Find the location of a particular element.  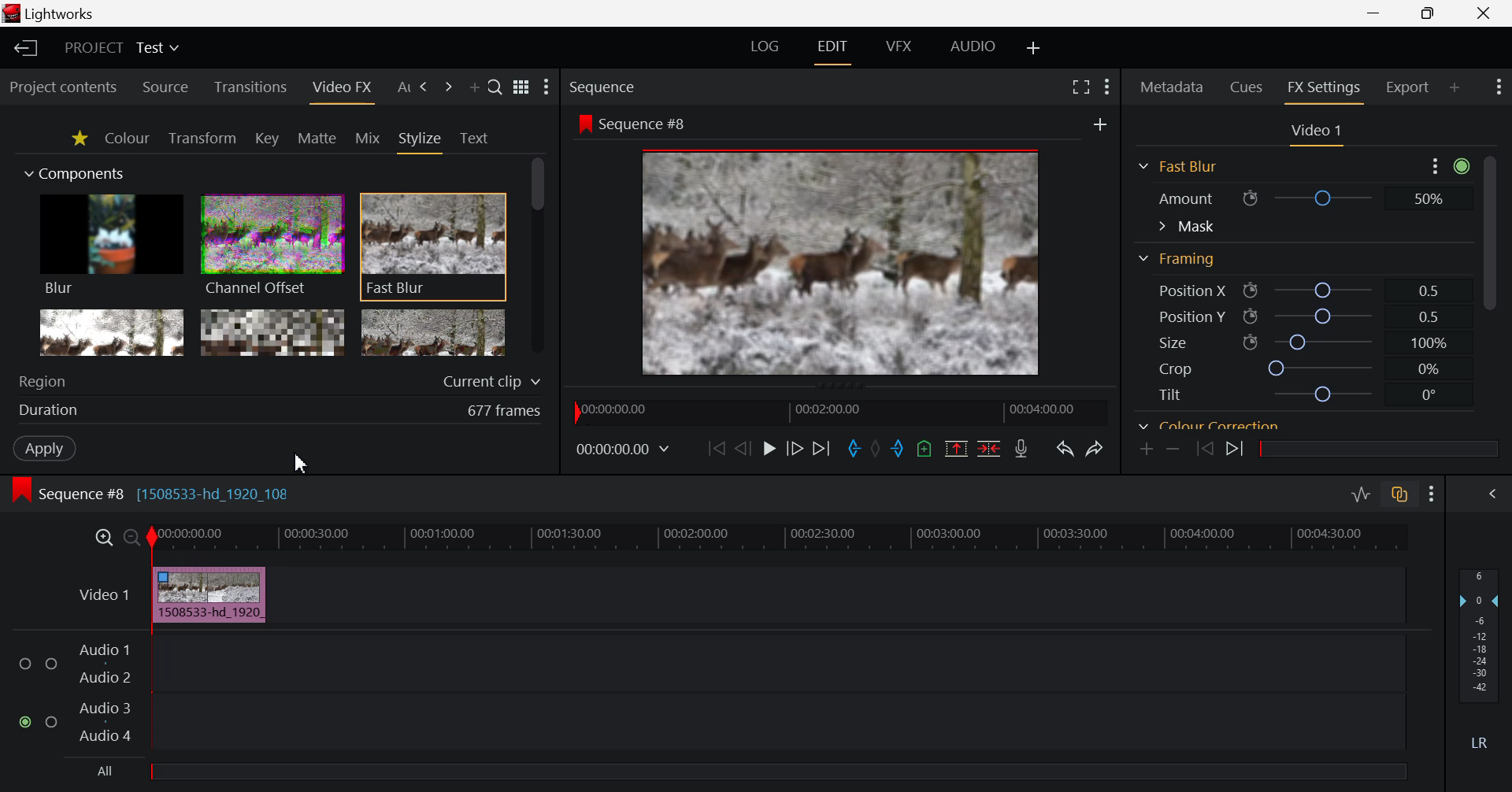

Favorites is located at coordinates (80, 139).